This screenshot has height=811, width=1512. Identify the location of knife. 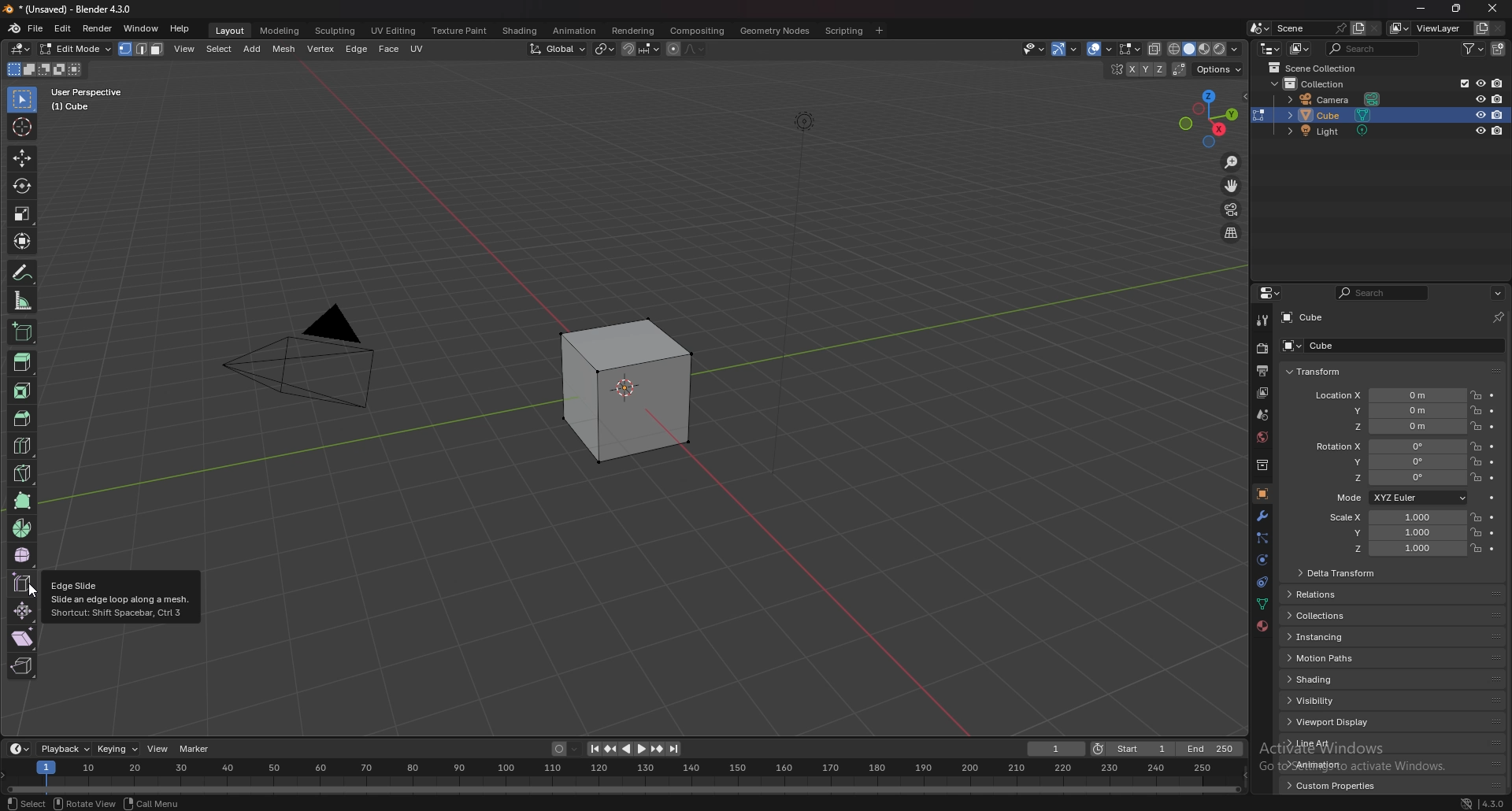
(22, 472).